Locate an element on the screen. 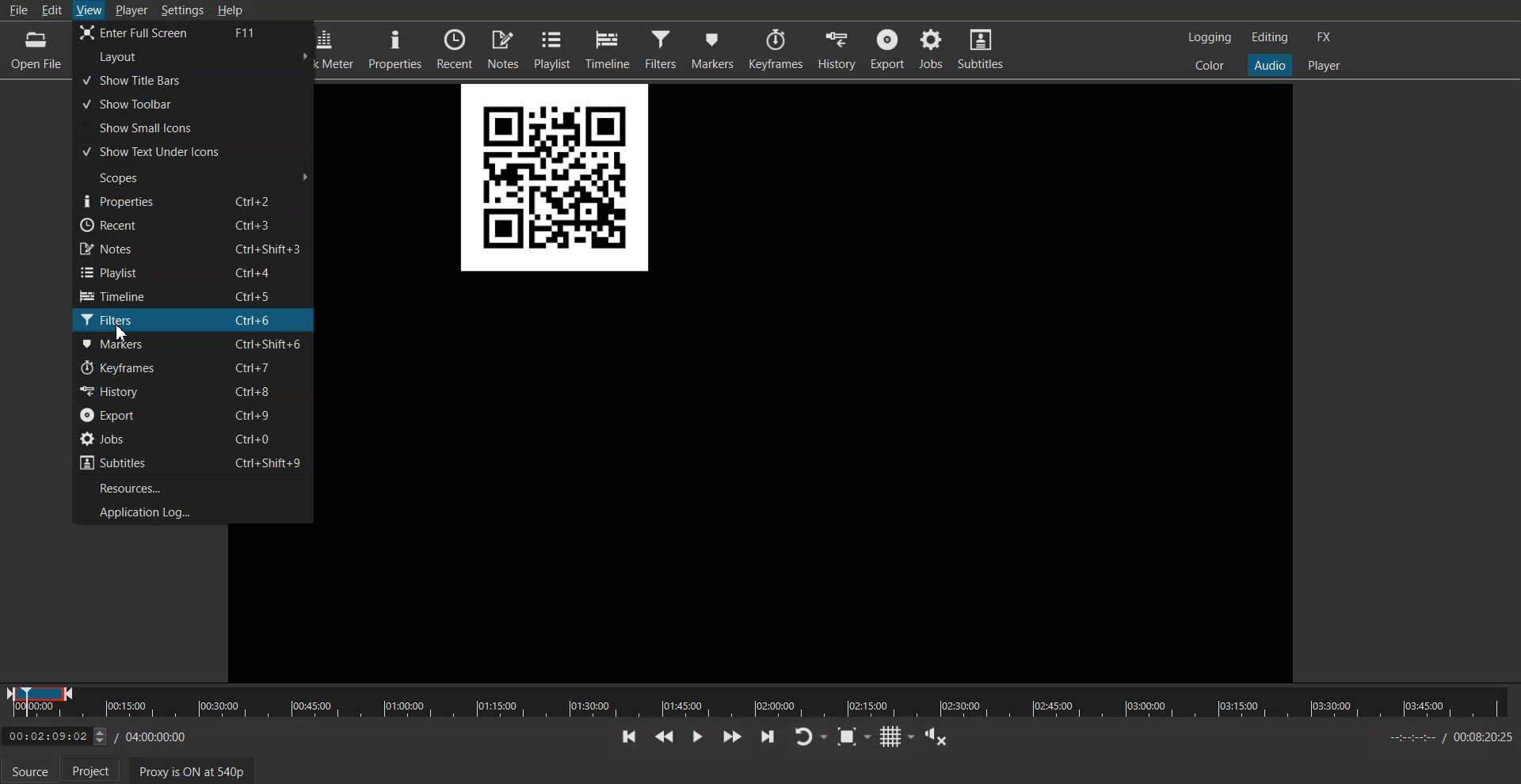  Settings is located at coordinates (183, 10).